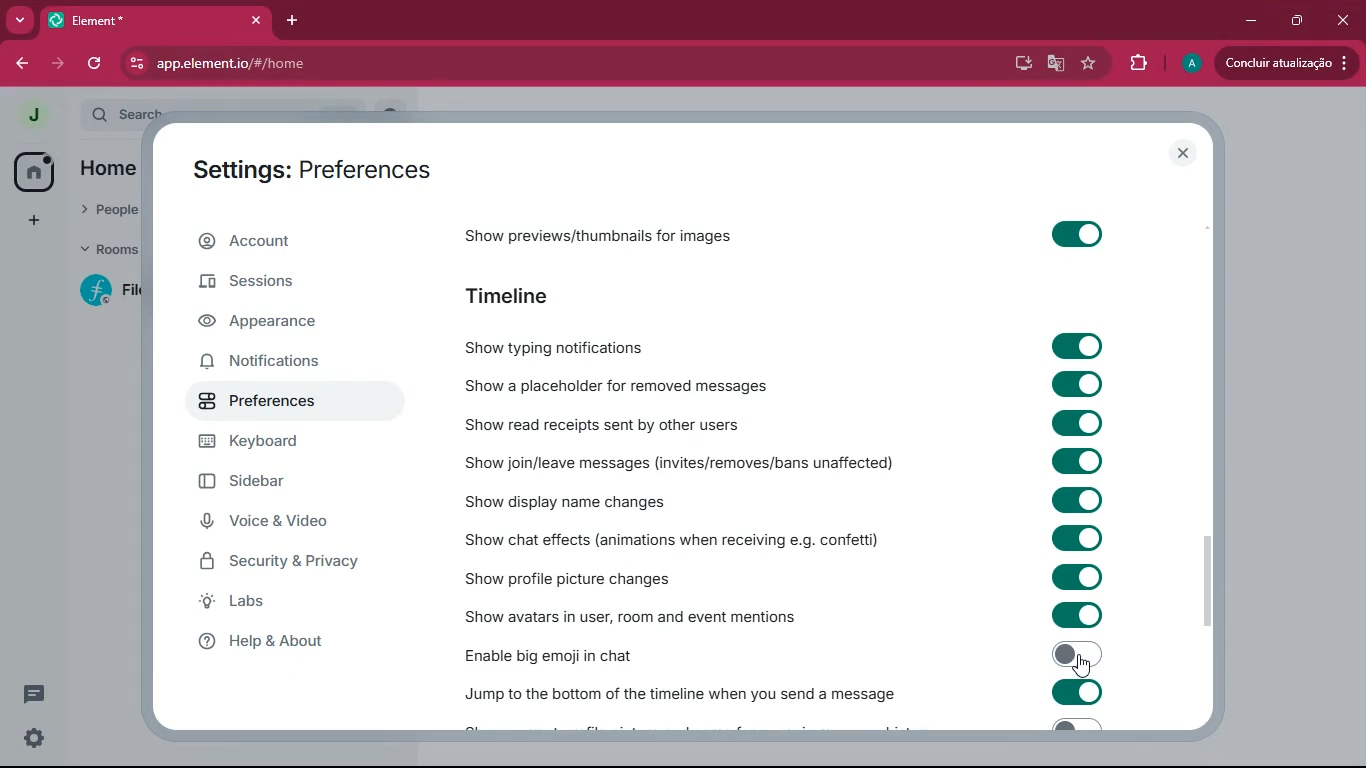 Image resolution: width=1366 pixels, height=768 pixels. I want to click on toggle on , so click(1076, 654).